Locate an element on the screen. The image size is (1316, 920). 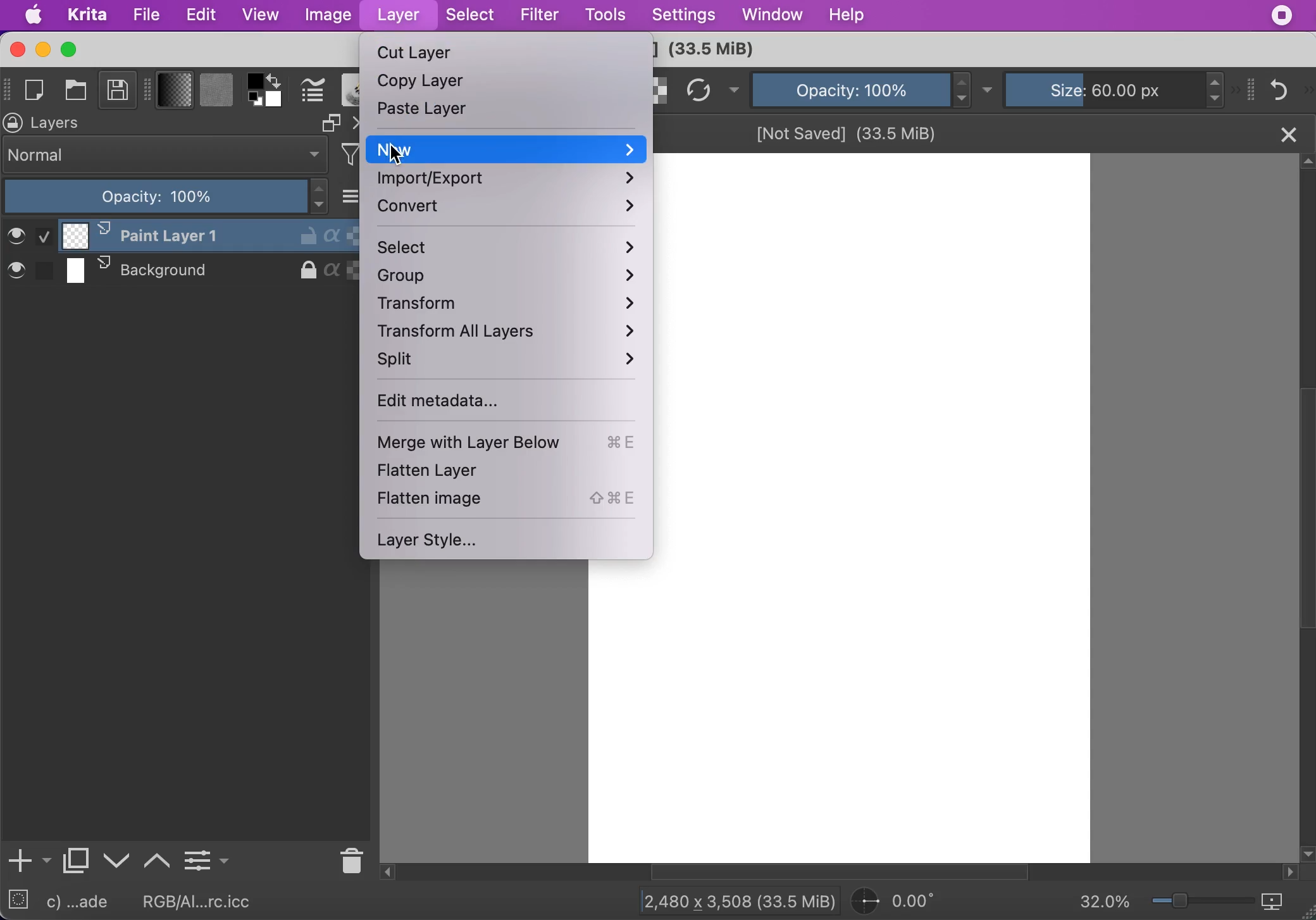
select is located at coordinates (471, 16).